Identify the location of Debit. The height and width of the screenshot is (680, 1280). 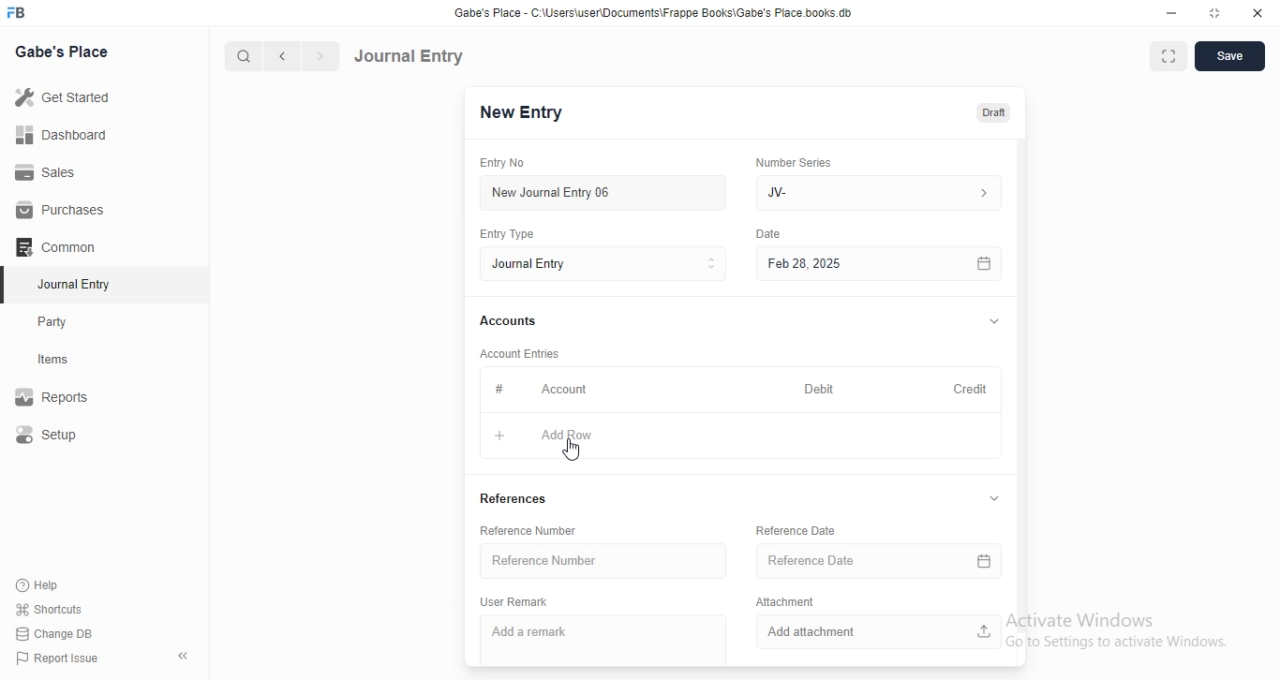
(820, 388).